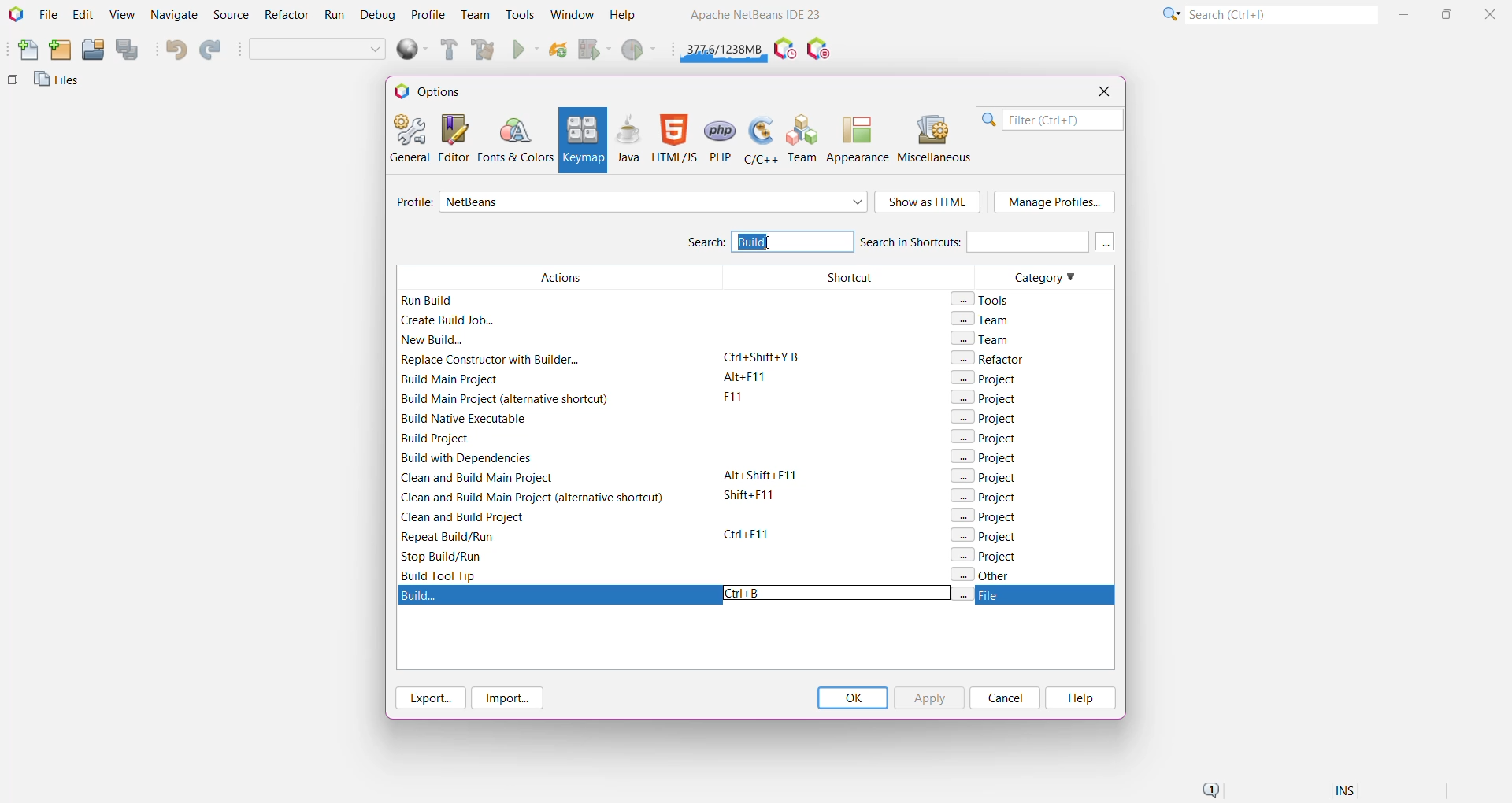 The width and height of the screenshot is (1512, 803). I want to click on Miscellaneous, so click(936, 139).